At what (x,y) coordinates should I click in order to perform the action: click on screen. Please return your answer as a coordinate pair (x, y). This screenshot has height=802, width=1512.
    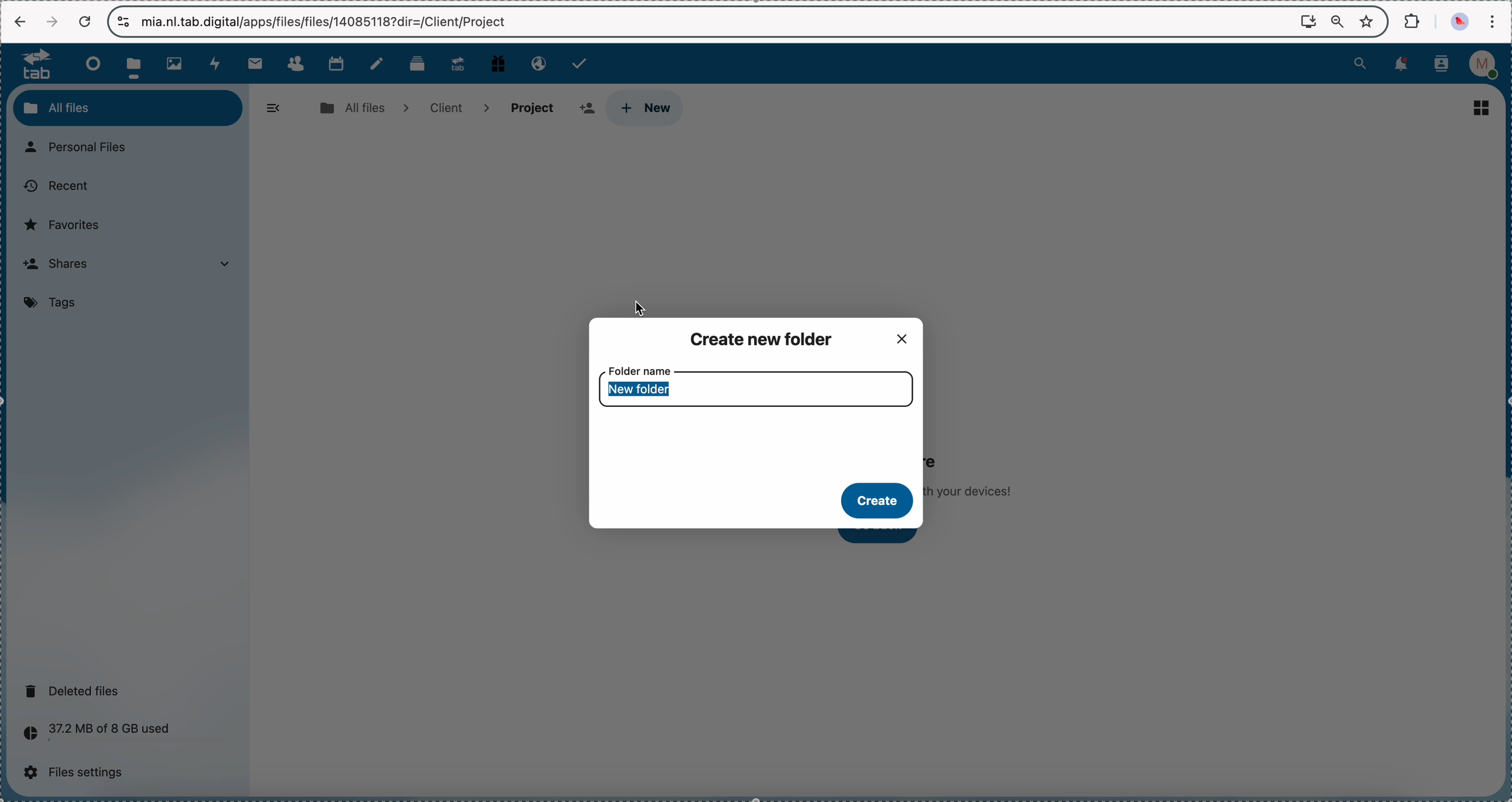
    Looking at the image, I should click on (1308, 21).